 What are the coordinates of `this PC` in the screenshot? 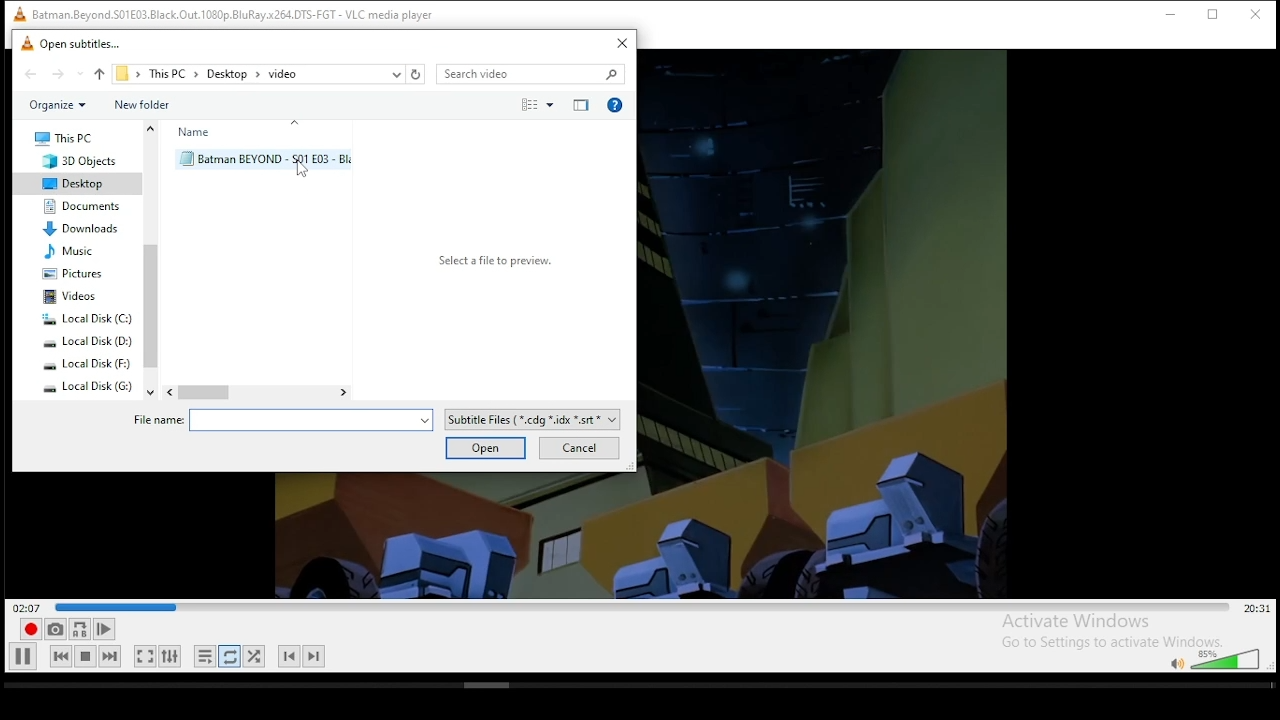 It's located at (70, 138).